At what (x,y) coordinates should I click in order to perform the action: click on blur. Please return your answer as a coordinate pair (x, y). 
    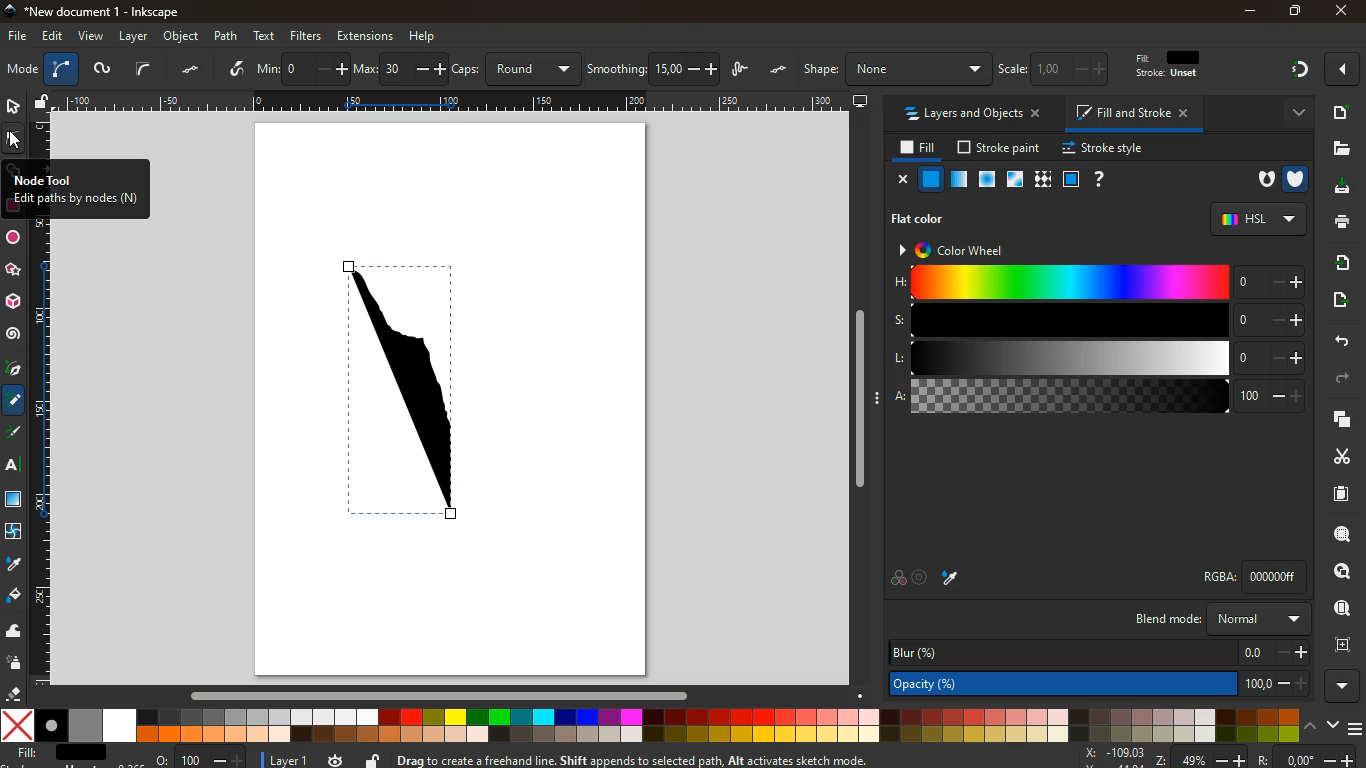
    Looking at the image, I should click on (1099, 653).